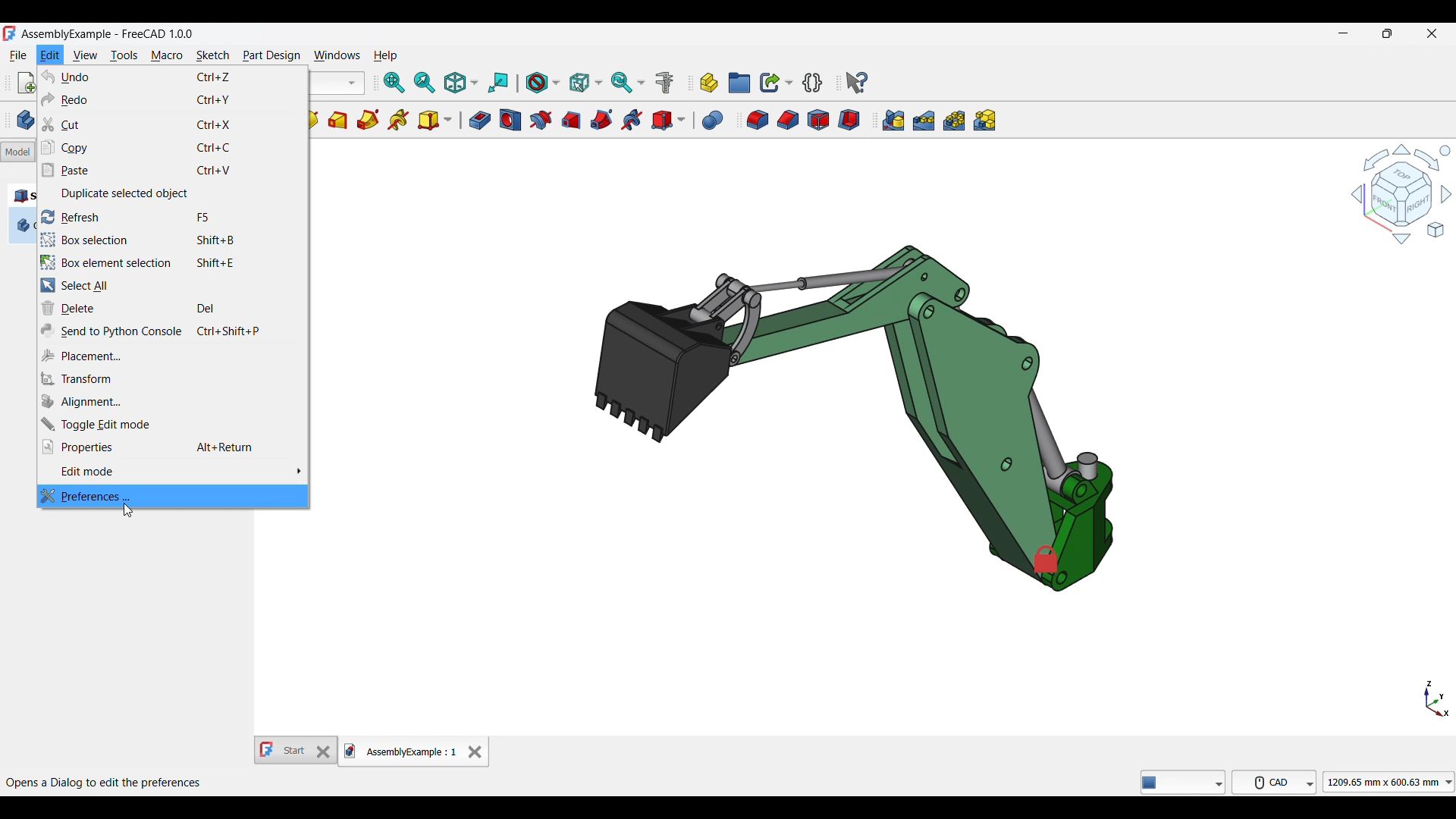  Describe the element at coordinates (758, 120) in the screenshot. I see `Fillet` at that location.